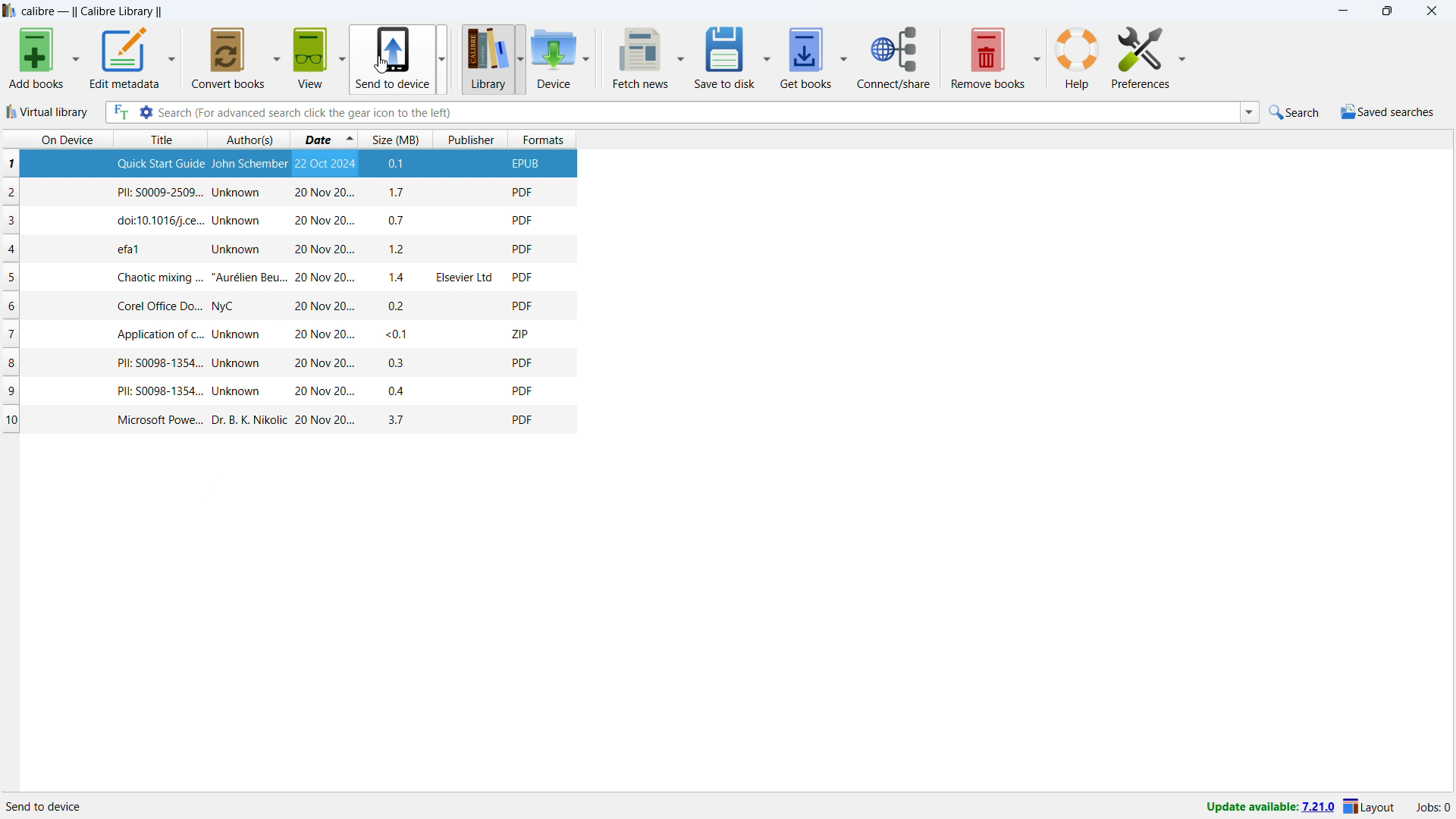 The height and width of the screenshot is (819, 1456). What do you see at coordinates (284, 221) in the screenshot?
I see `one book entry` at bounding box center [284, 221].